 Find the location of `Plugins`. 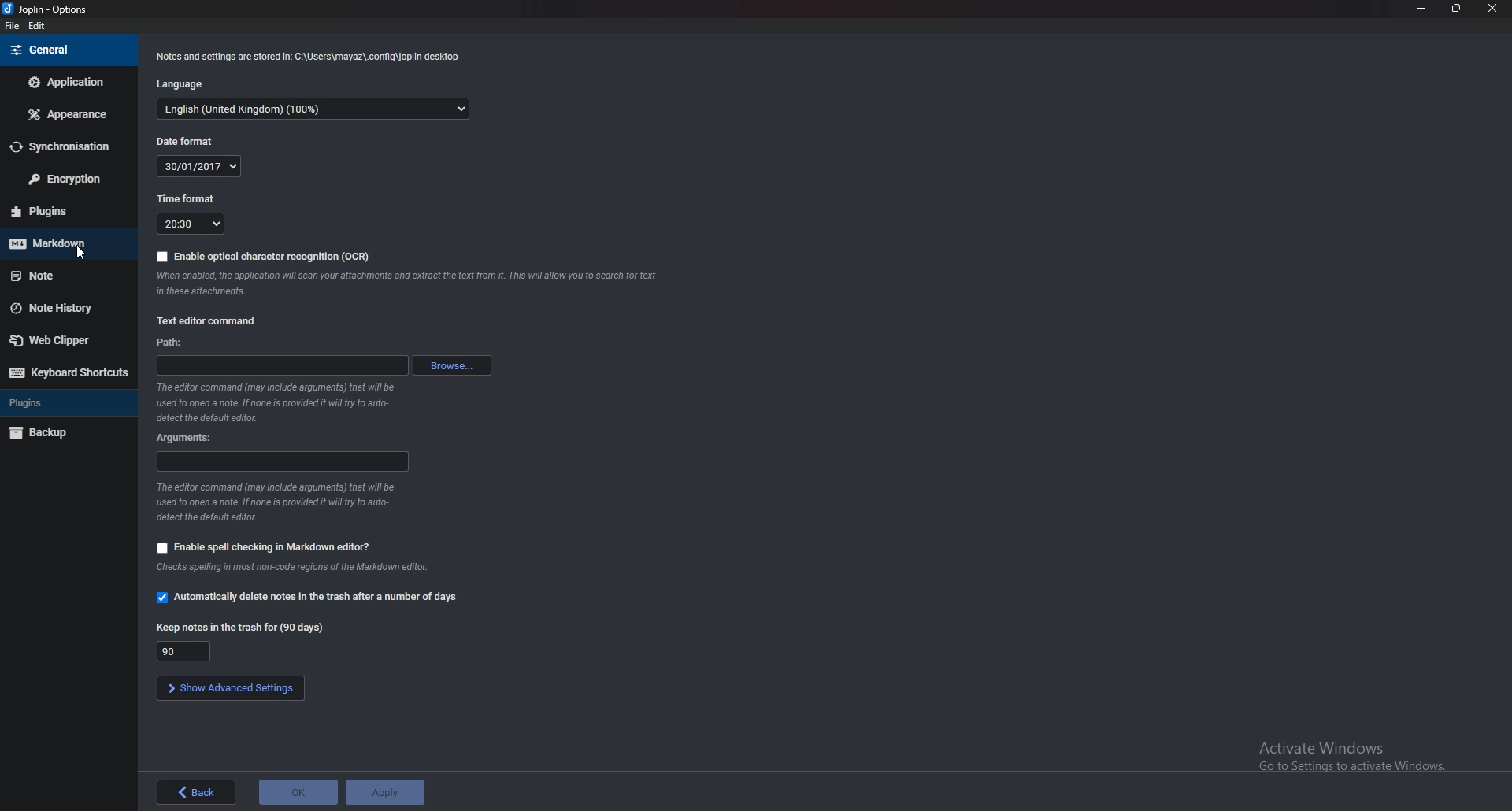

Plugins is located at coordinates (62, 211).